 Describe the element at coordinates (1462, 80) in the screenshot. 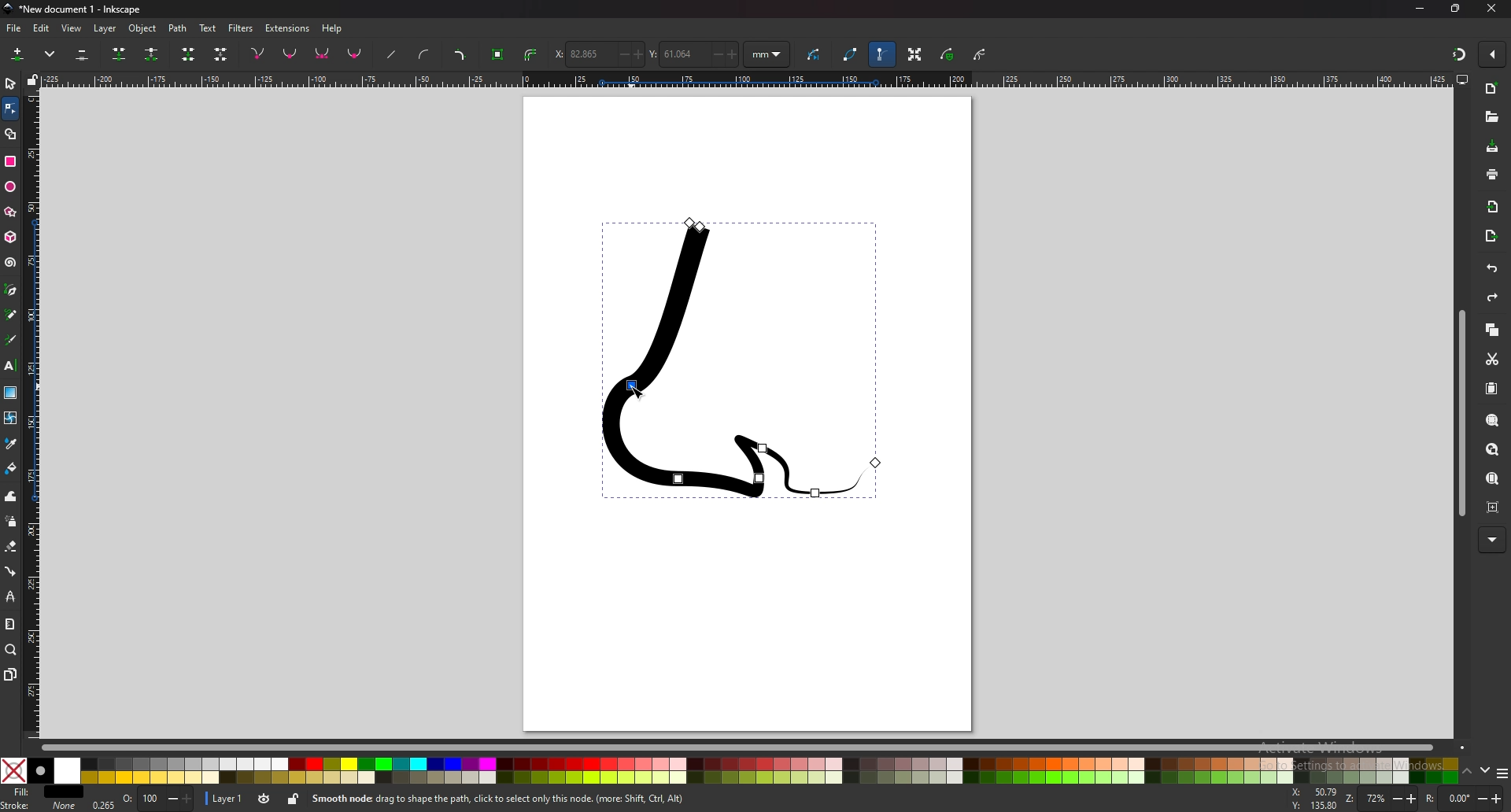

I see `display view` at that location.